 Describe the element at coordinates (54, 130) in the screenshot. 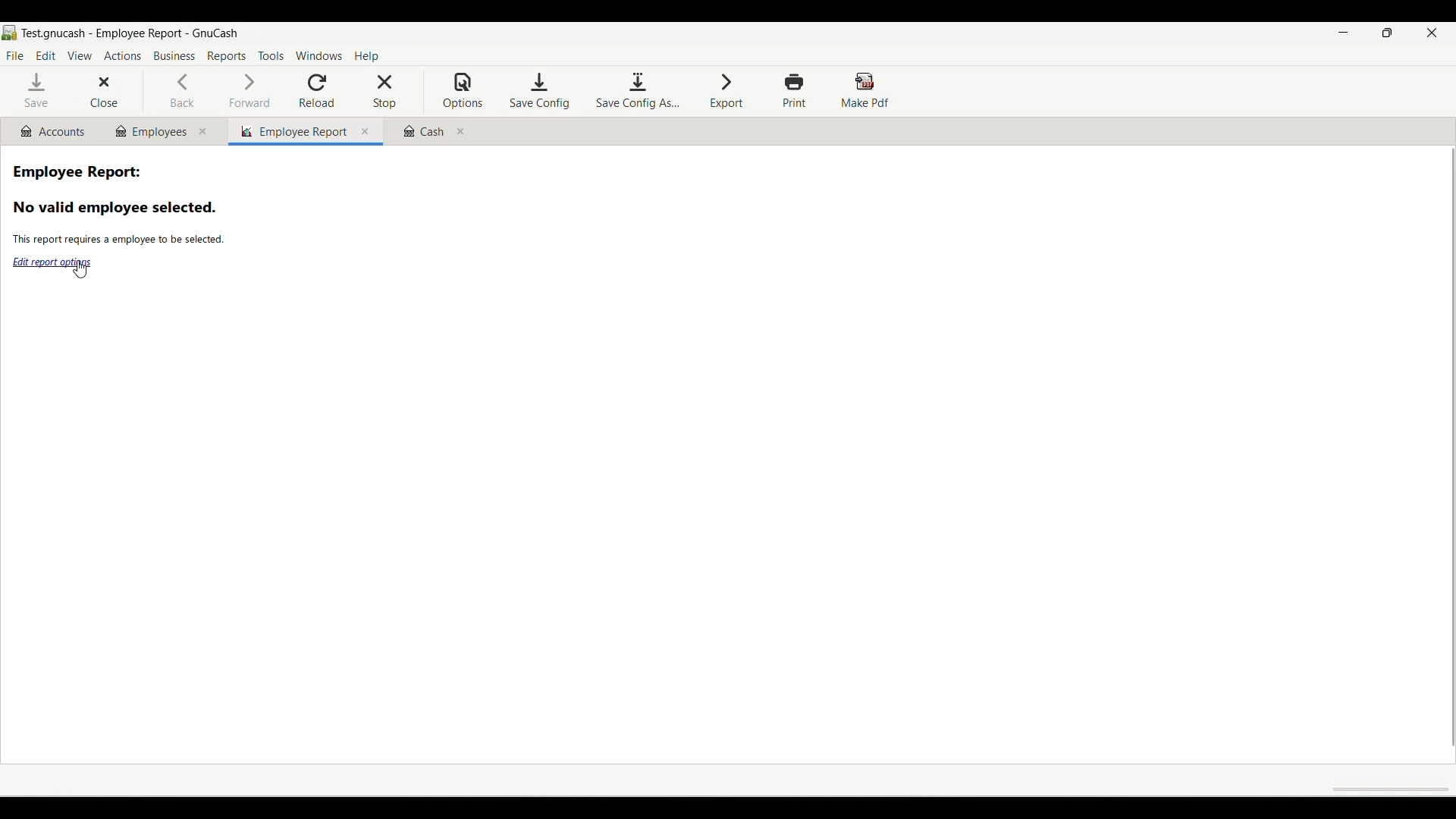

I see `Accounts tab` at that location.